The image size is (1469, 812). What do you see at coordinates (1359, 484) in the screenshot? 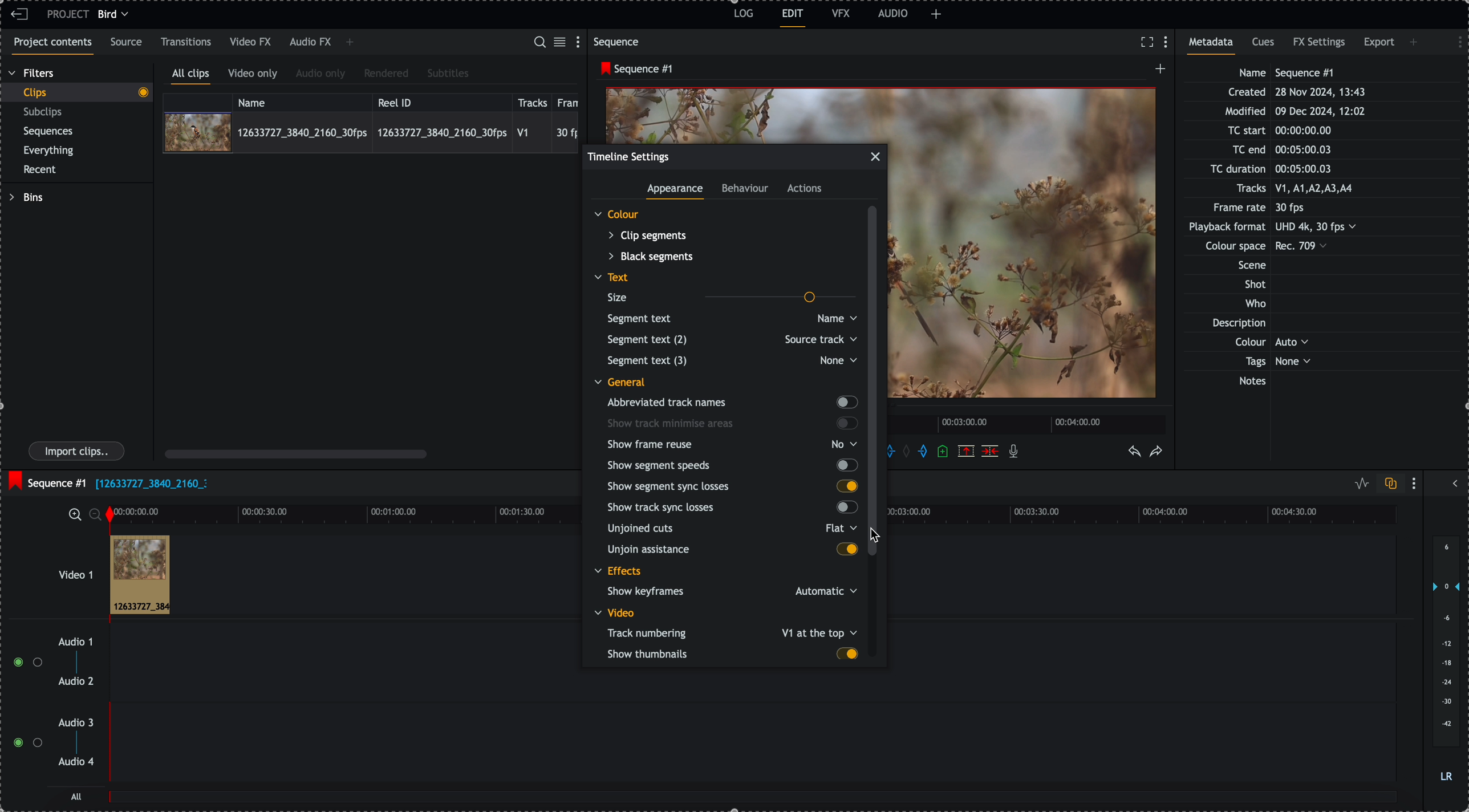
I see `toggle audio levels editing` at bounding box center [1359, 484].